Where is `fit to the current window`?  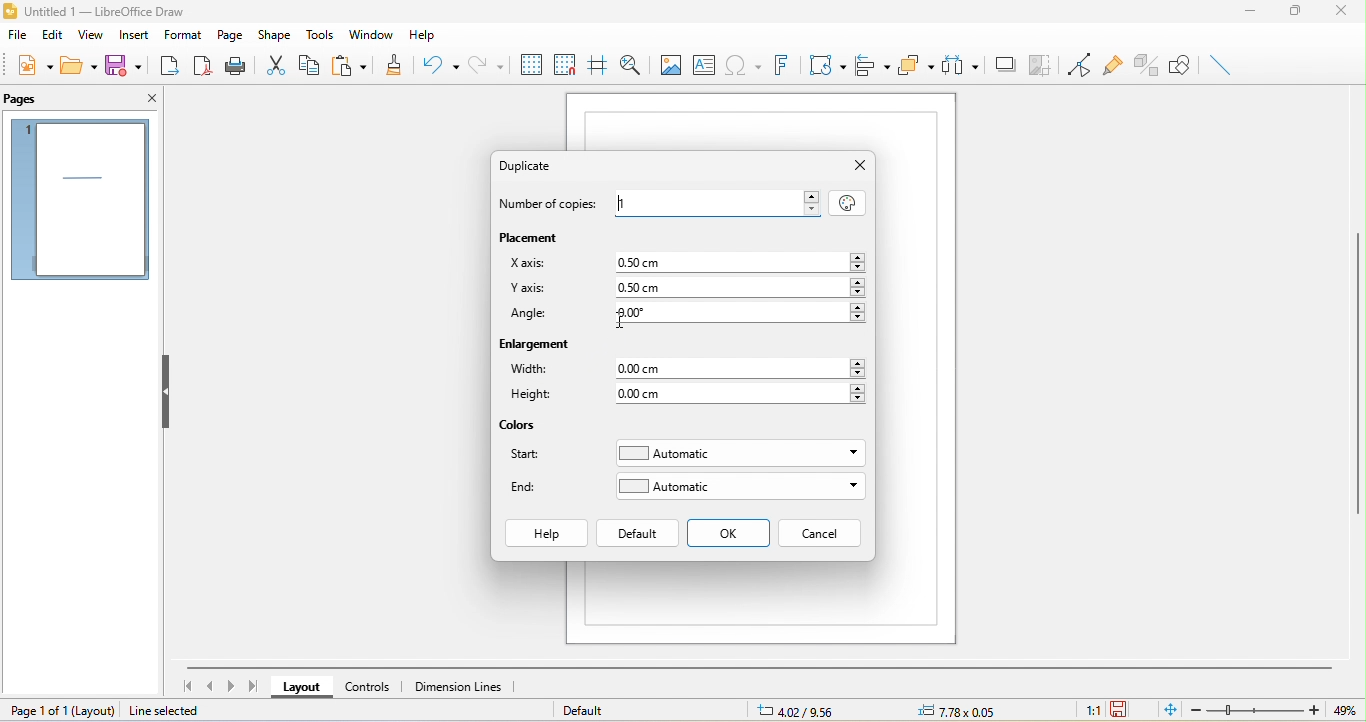
fit to the current window is located at coordinates (1165, 711).